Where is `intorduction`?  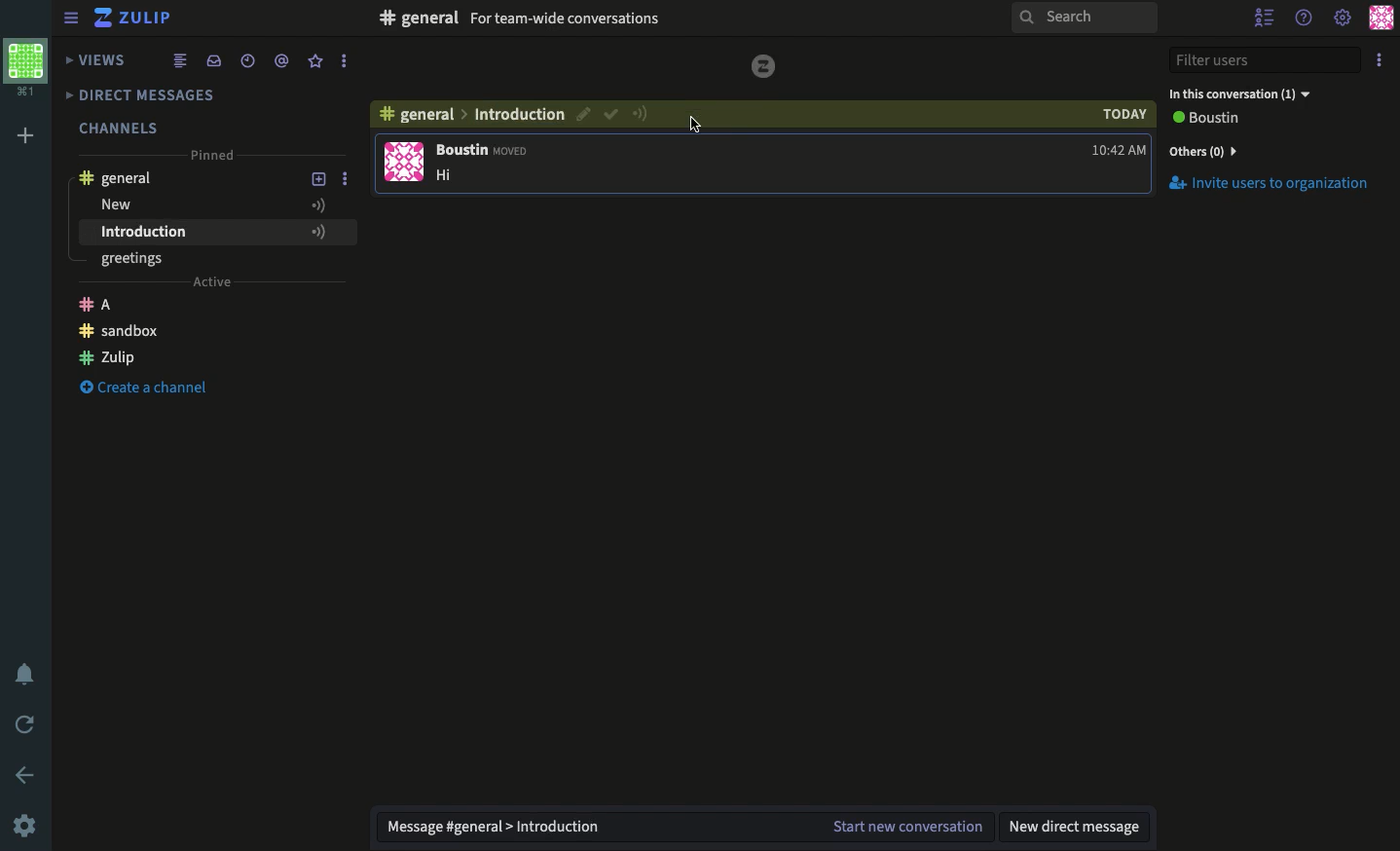
intorduction is located at coordinates (521, 116).